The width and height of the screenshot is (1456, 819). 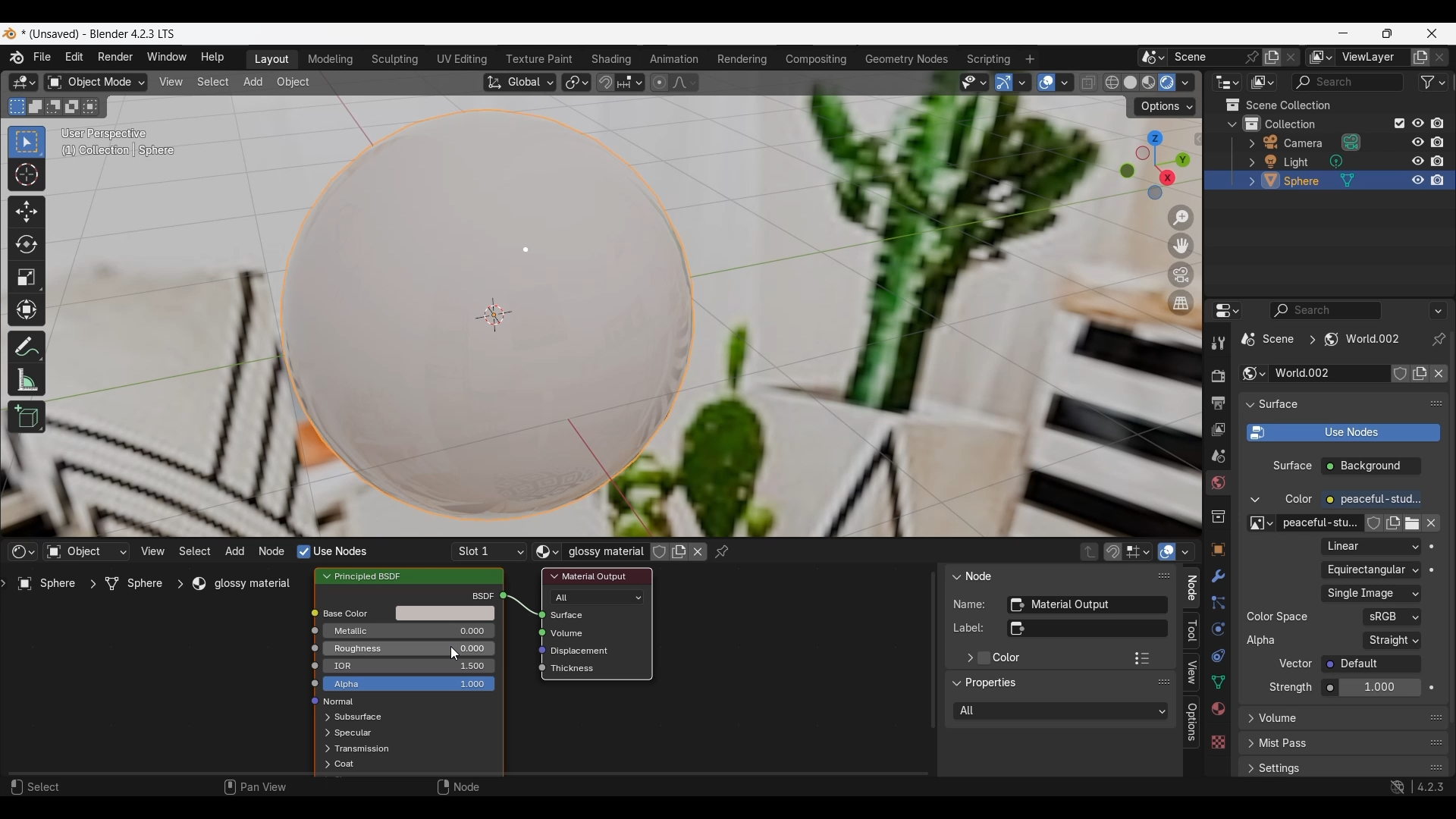 I want to click on sphere, so click(x=1304, y=183).